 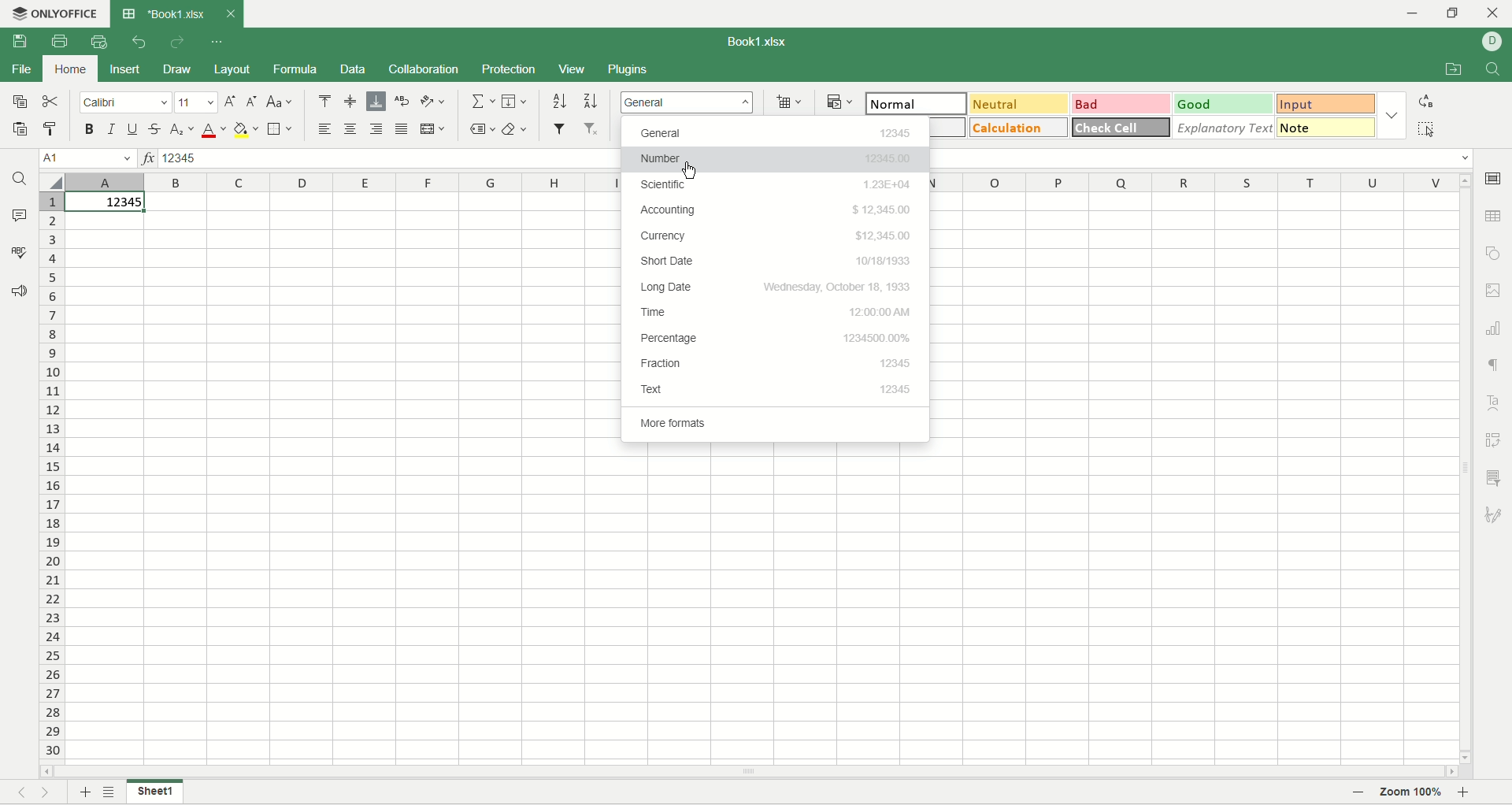 I want to click on short date, so click(x=776, y=262).